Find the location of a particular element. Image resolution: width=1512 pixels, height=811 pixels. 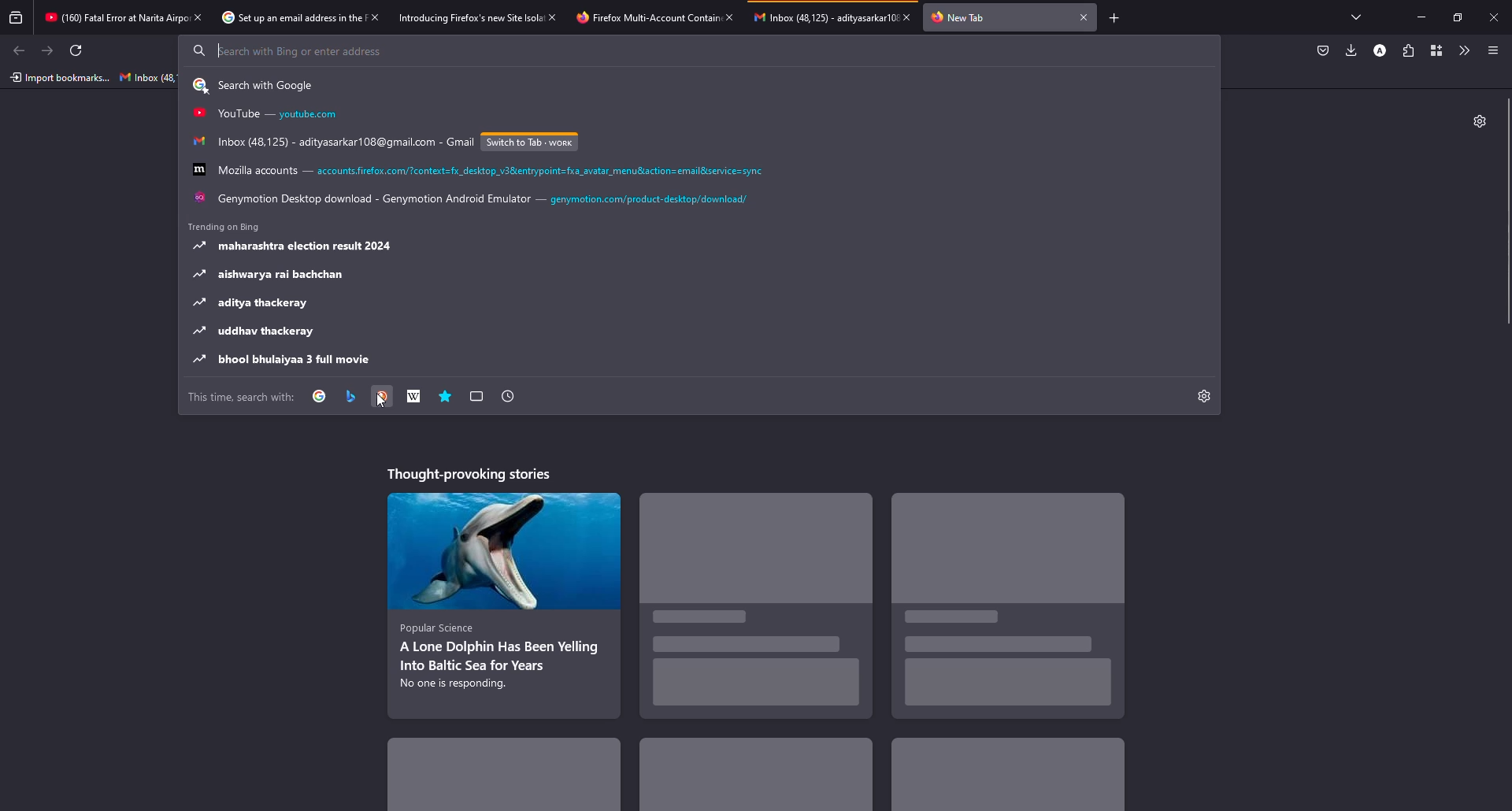

back is located at coordinates (20, 51).